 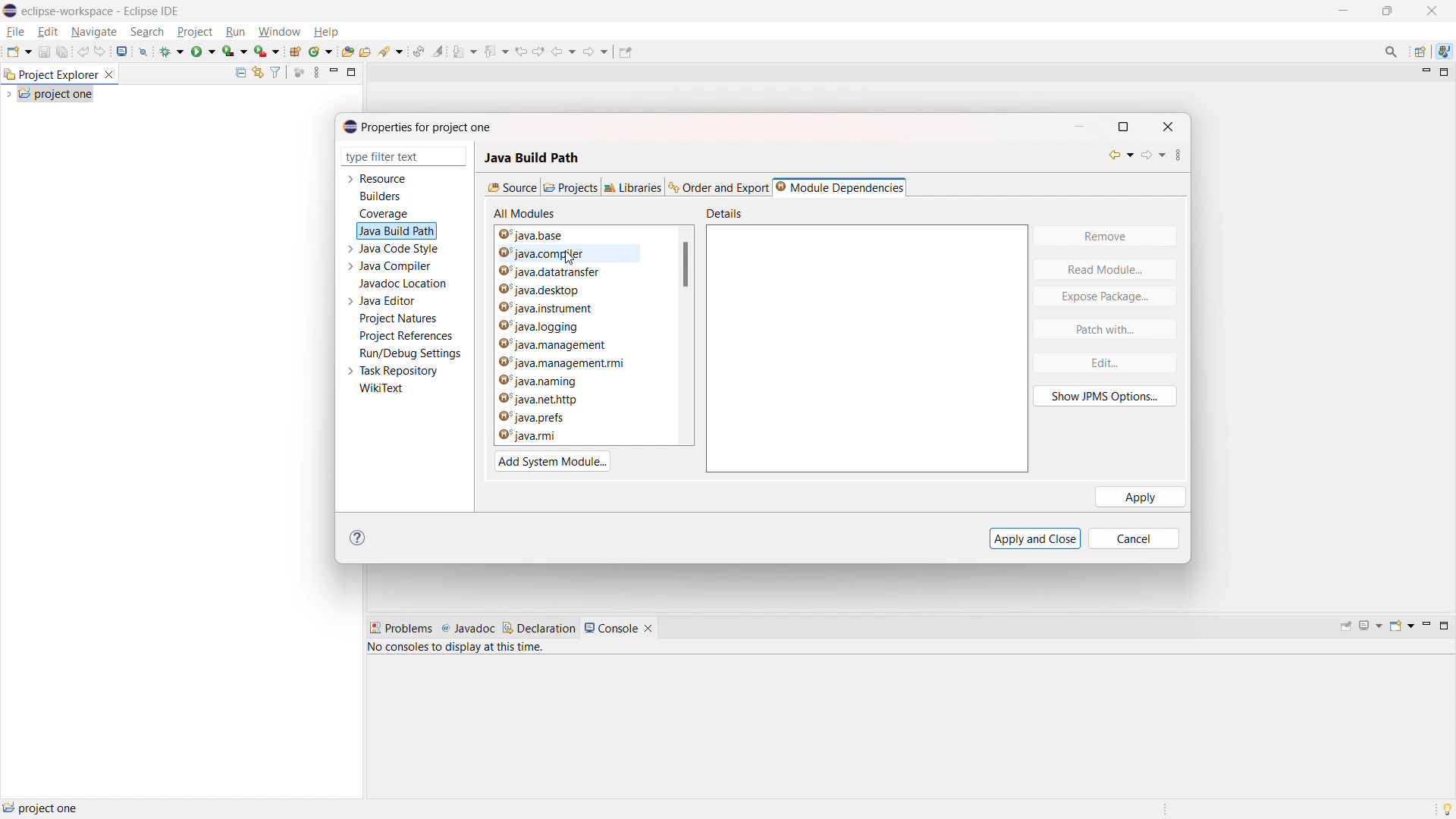 I want to click on console, so click(x=611, y=628).